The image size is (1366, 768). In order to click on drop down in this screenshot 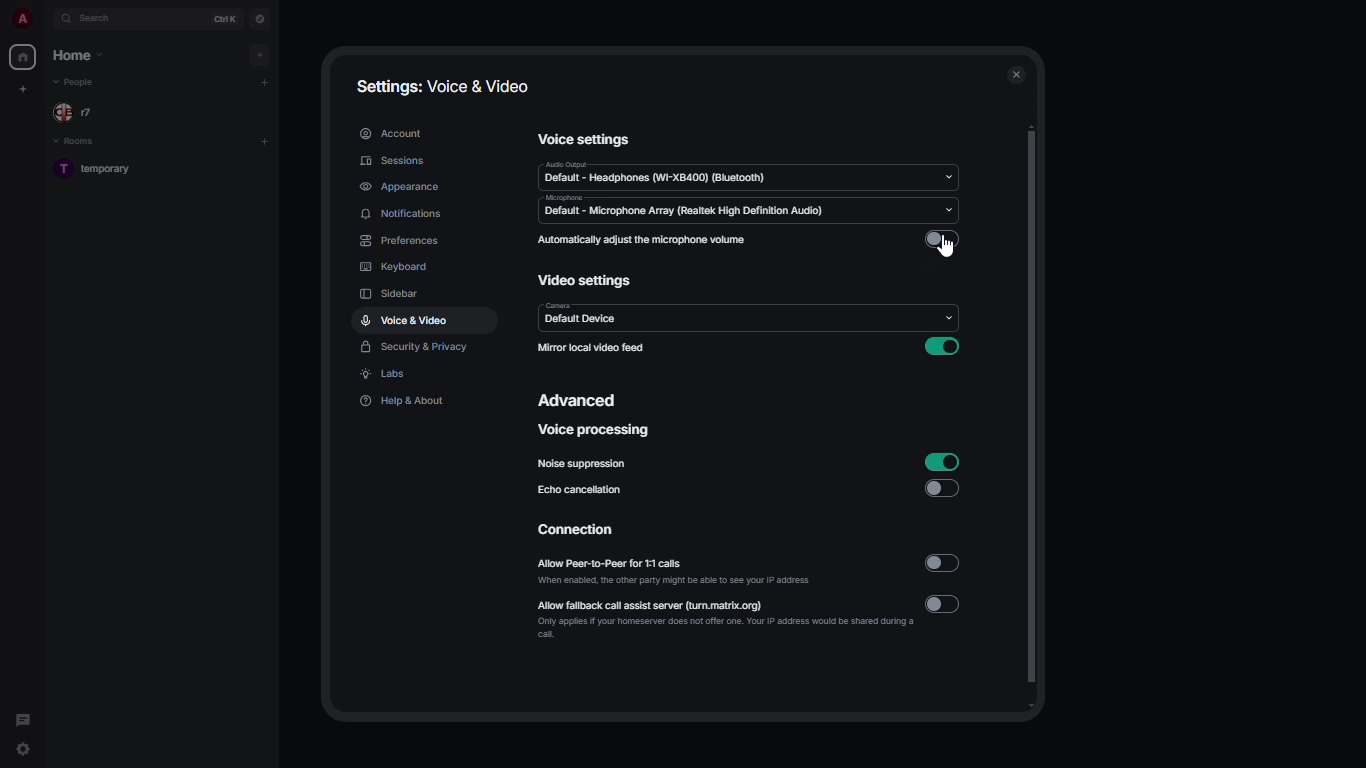, I will do `click(950, 210)`.